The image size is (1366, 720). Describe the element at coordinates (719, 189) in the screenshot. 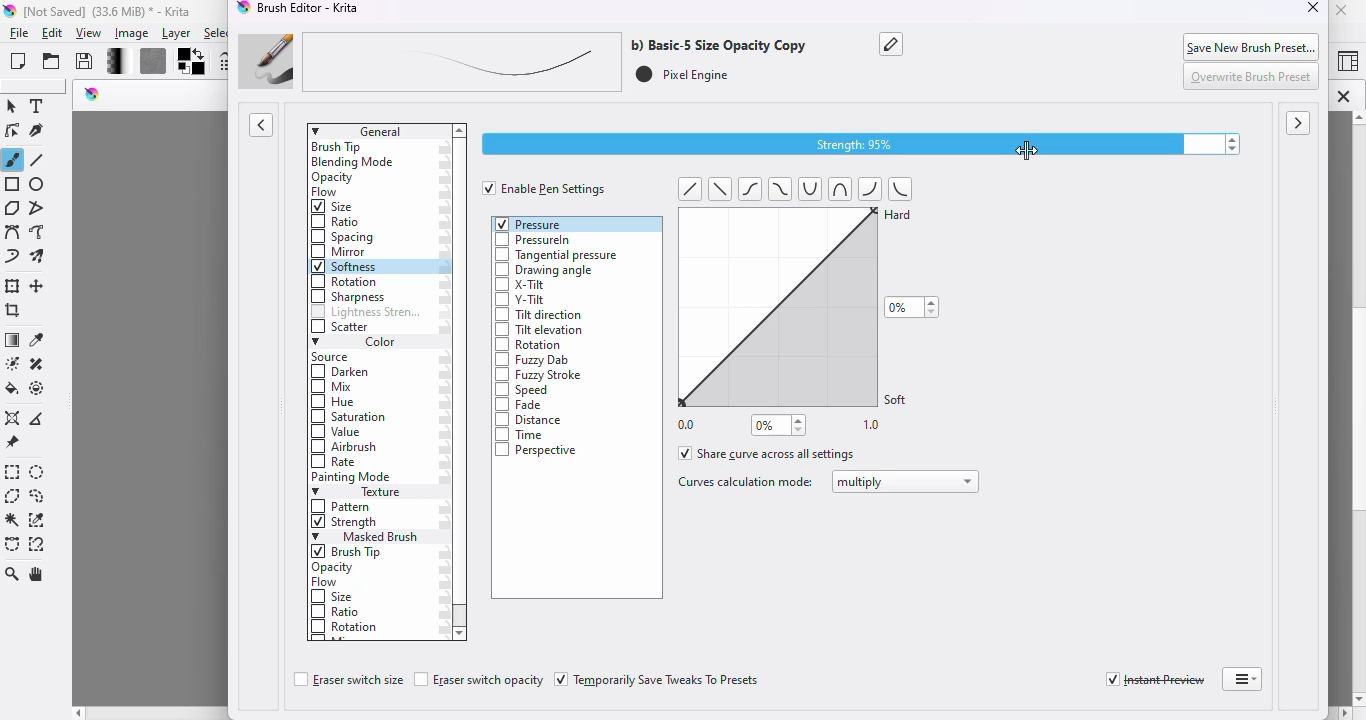

I see `diagonal` at that location.